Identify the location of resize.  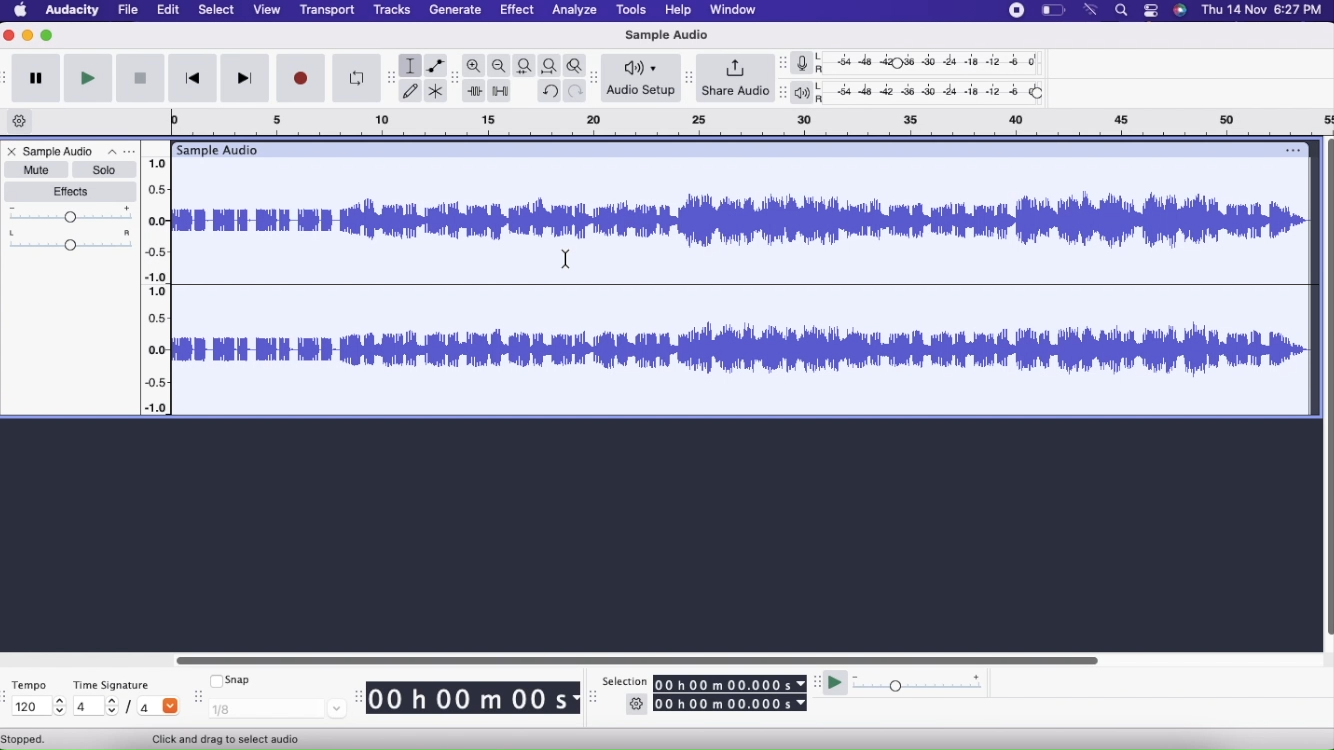
(197, 699).